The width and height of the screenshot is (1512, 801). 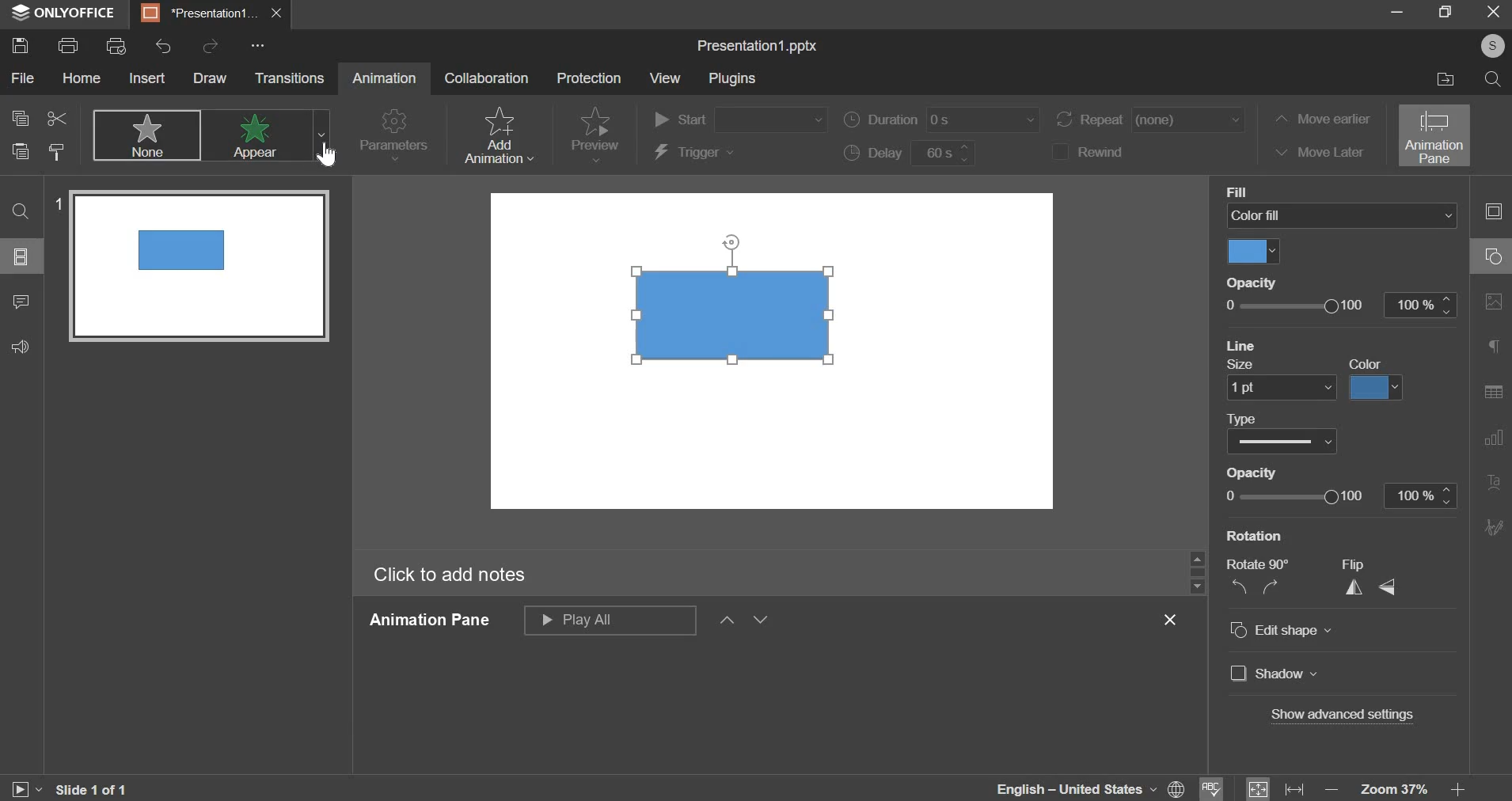 I want to click on Animation Pane, so click(x=1492, y=386).